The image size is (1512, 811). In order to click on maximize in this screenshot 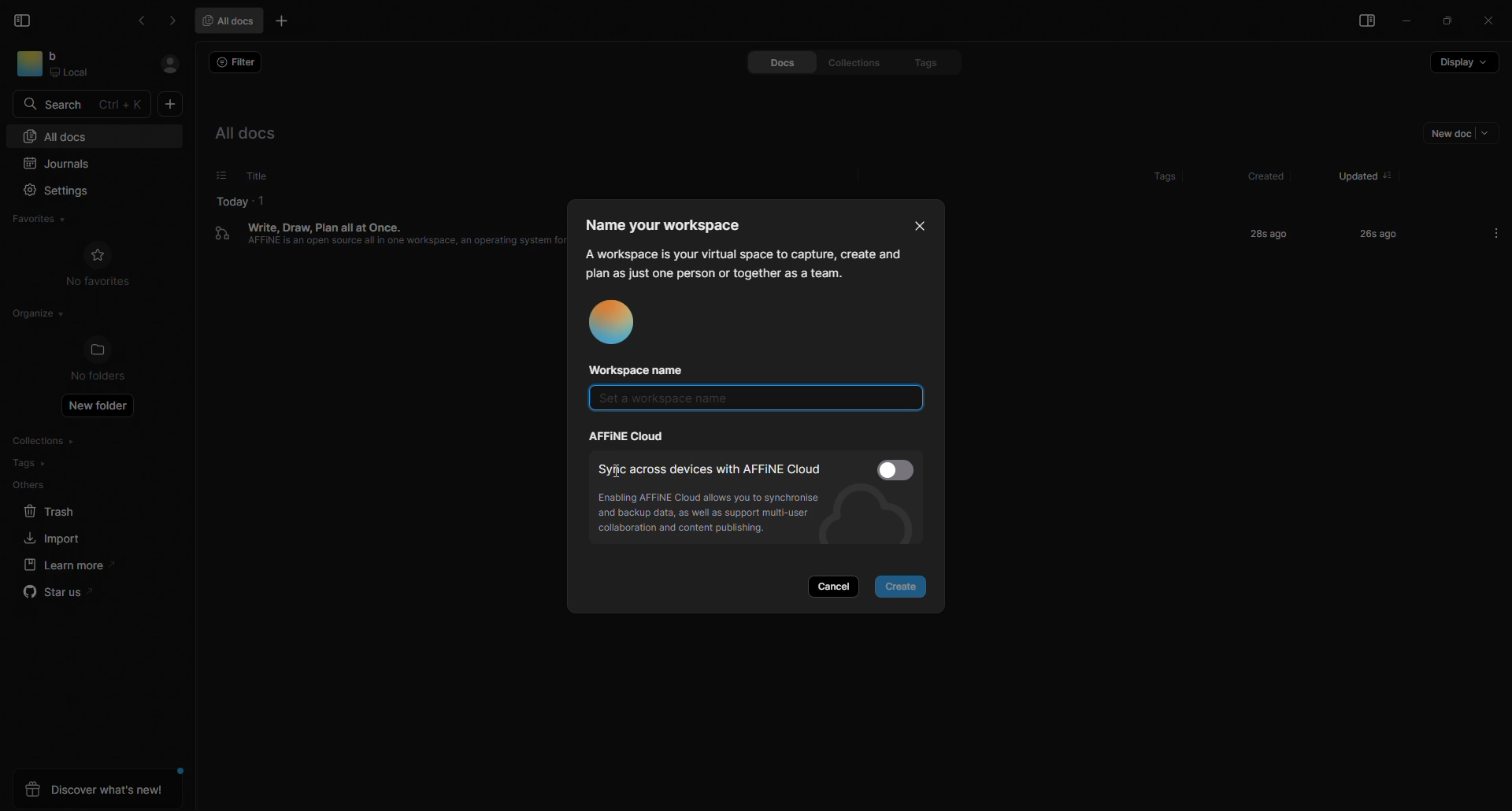, I will do `click(1448, 21)`.